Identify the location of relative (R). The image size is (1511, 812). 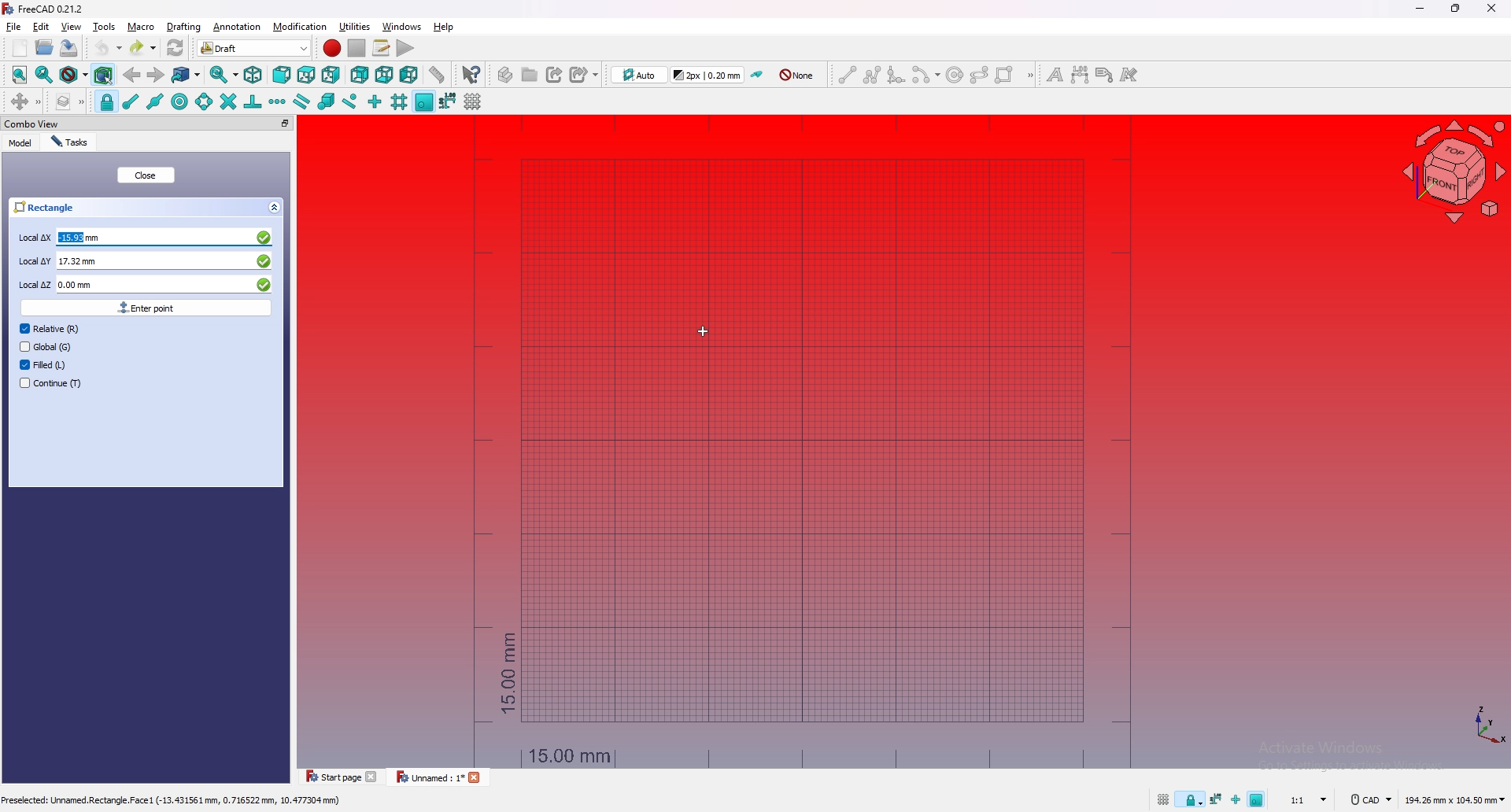
(50, 328).